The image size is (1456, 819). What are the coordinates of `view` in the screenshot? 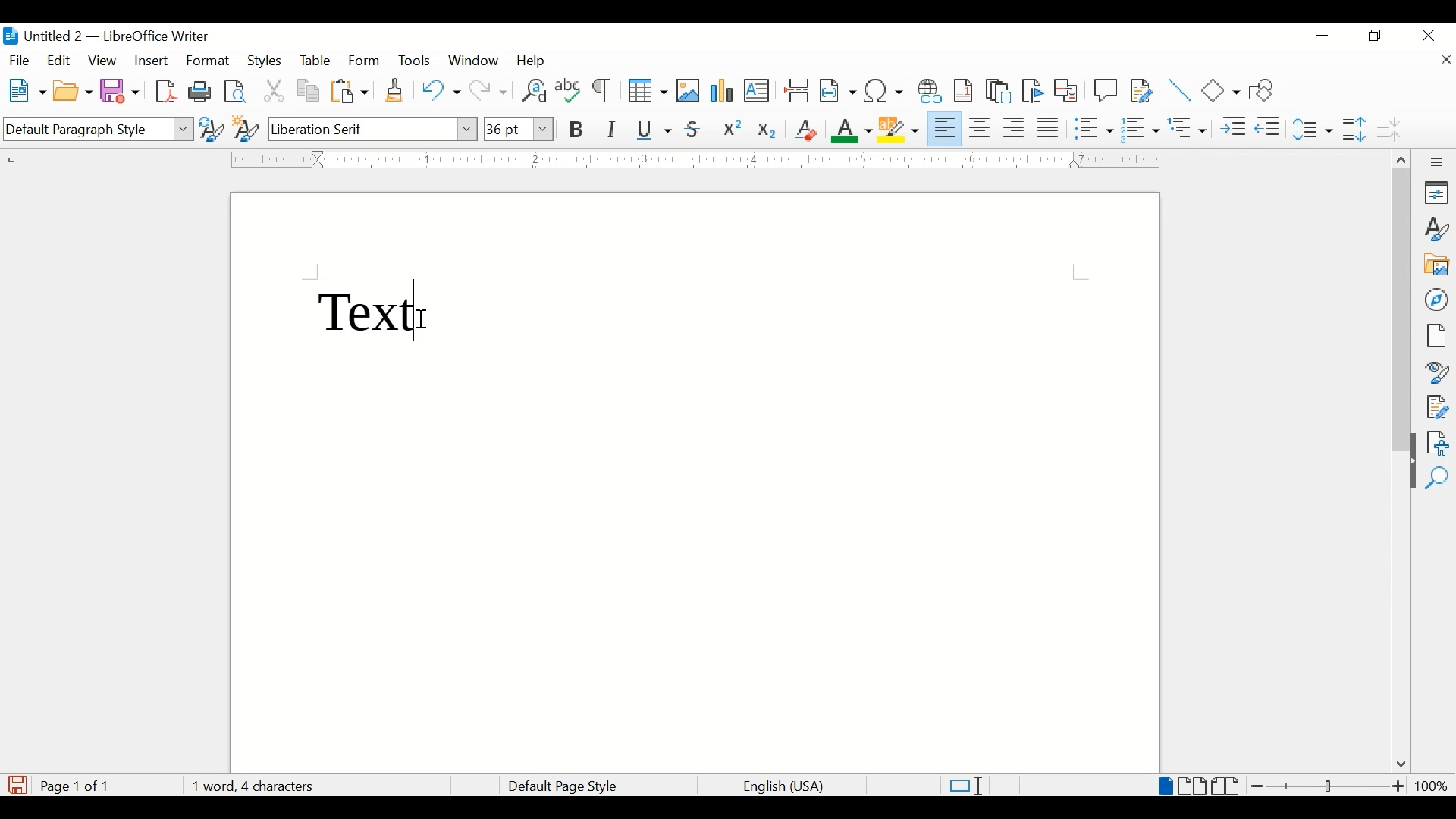 It's located at (104, 61).